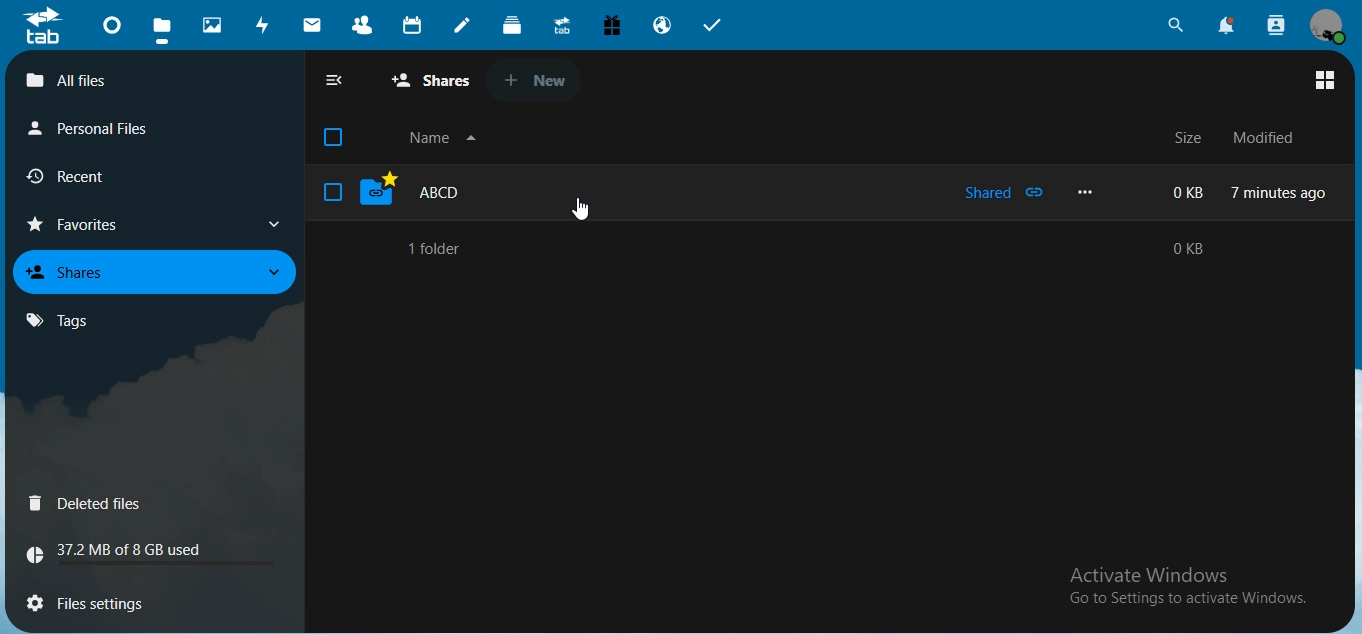  Describe the element at coordinates (312, 24) in the screenshot. I see `mail` at that location.